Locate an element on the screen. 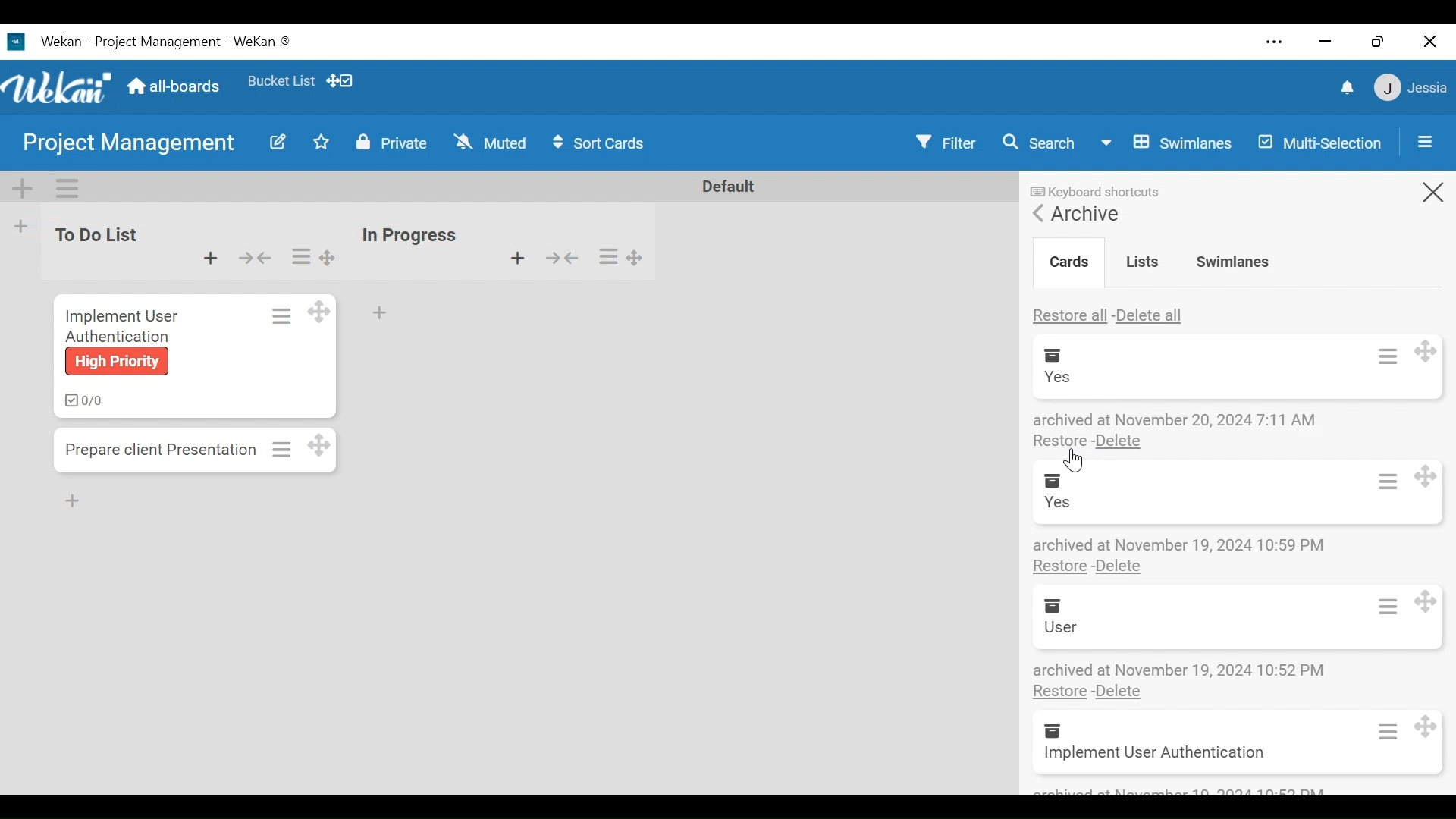 This screenshot has width=1456, height=819. Toggle Favorite is located at coordinates (318, 143).